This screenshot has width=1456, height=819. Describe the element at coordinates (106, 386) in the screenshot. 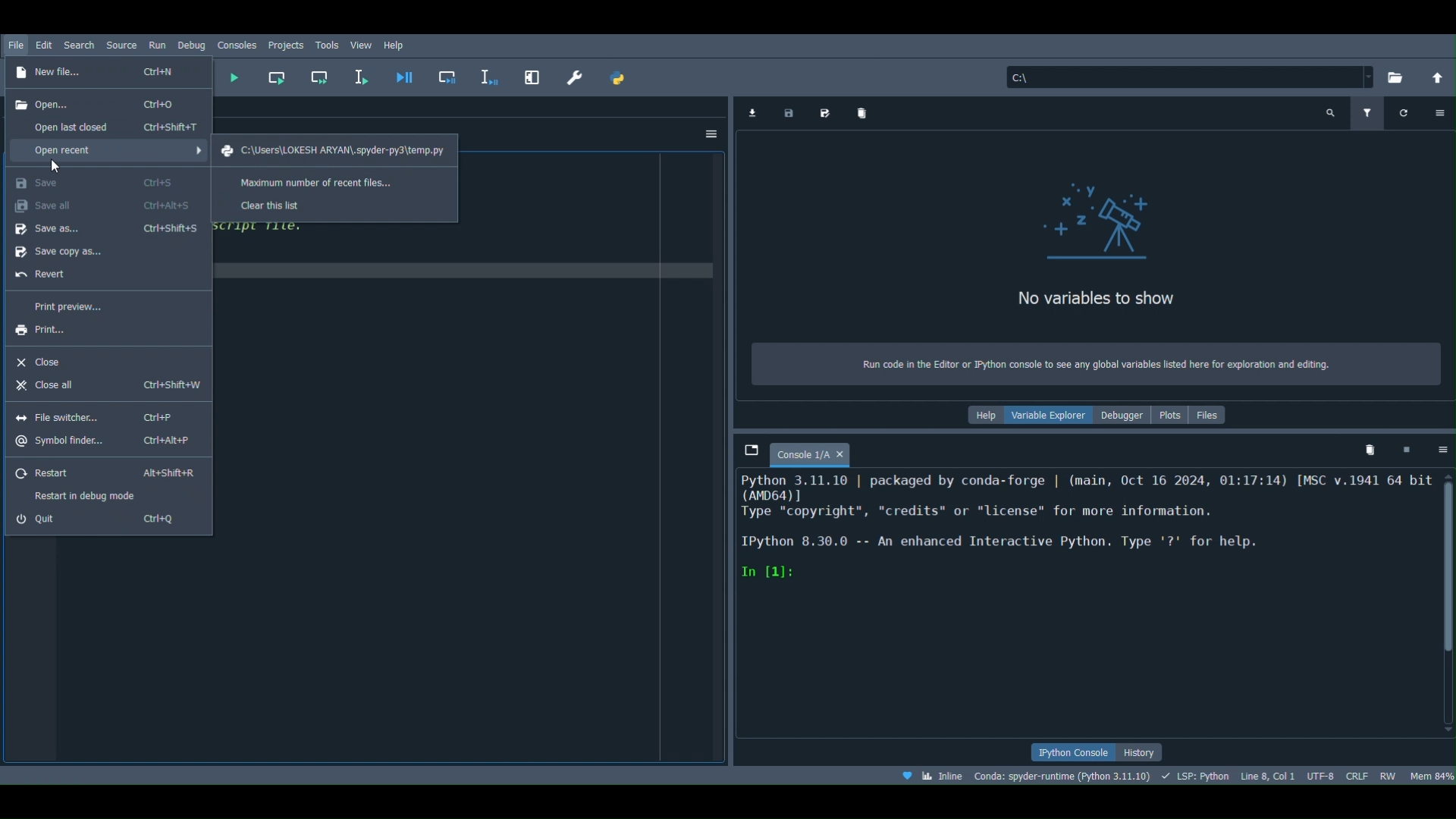

I see `Close all` at that location.